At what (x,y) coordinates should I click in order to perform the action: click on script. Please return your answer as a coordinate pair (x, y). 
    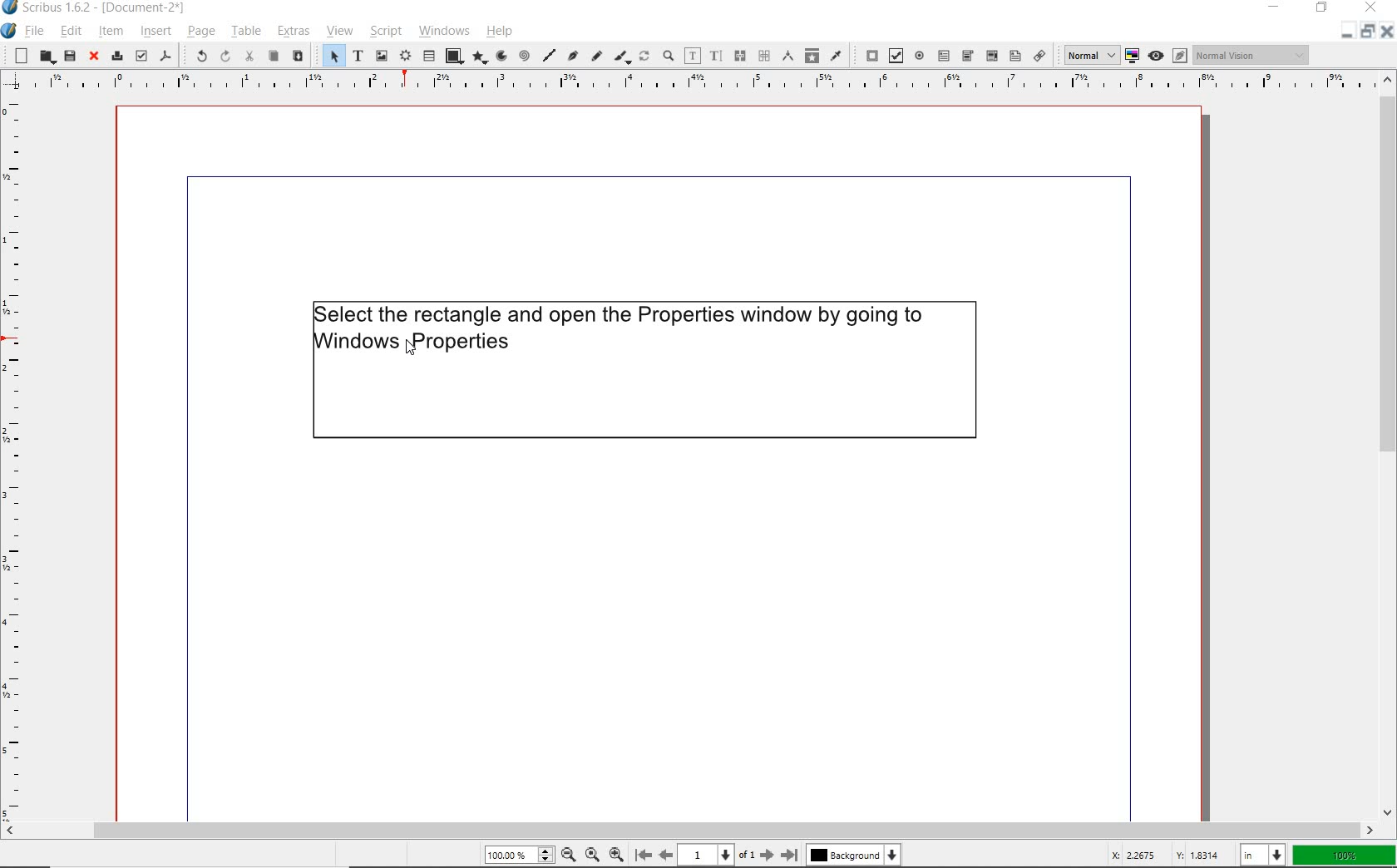
    Looking at the image, I should click on (383, 32).